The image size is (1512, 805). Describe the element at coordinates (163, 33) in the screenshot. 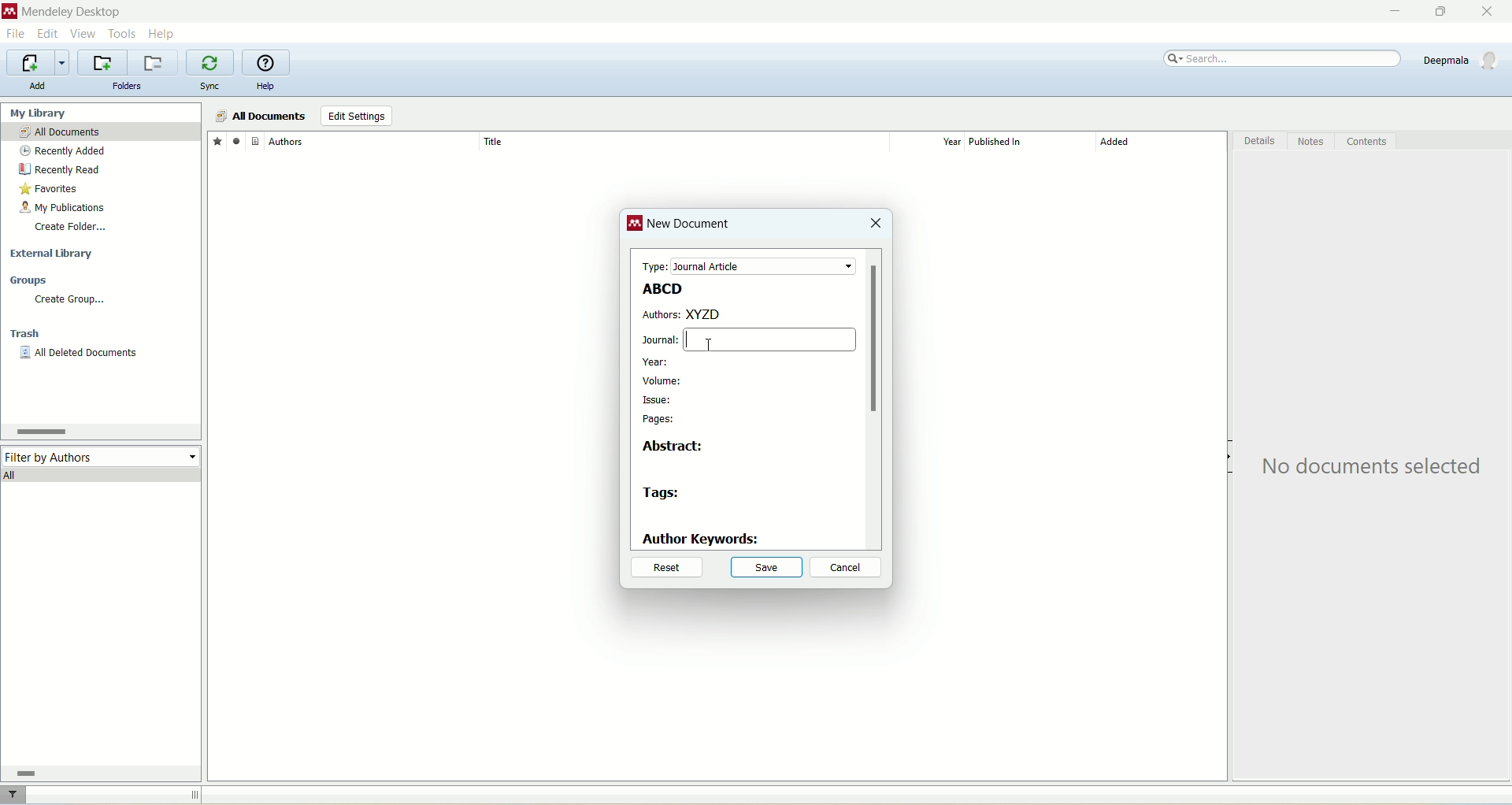

I see `help` at that location.